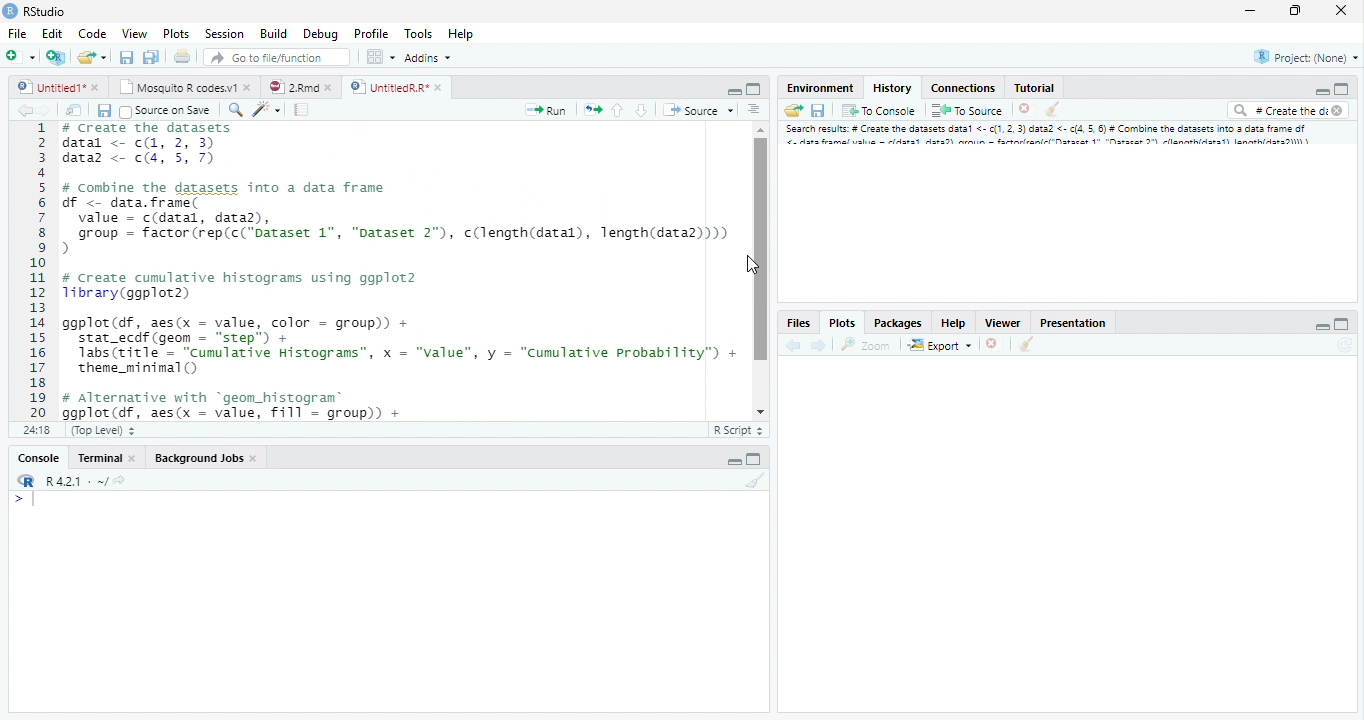 Image resolution: width=1364 pixels, height=720 pixels. I want to click on Edit, so click(53, 35).